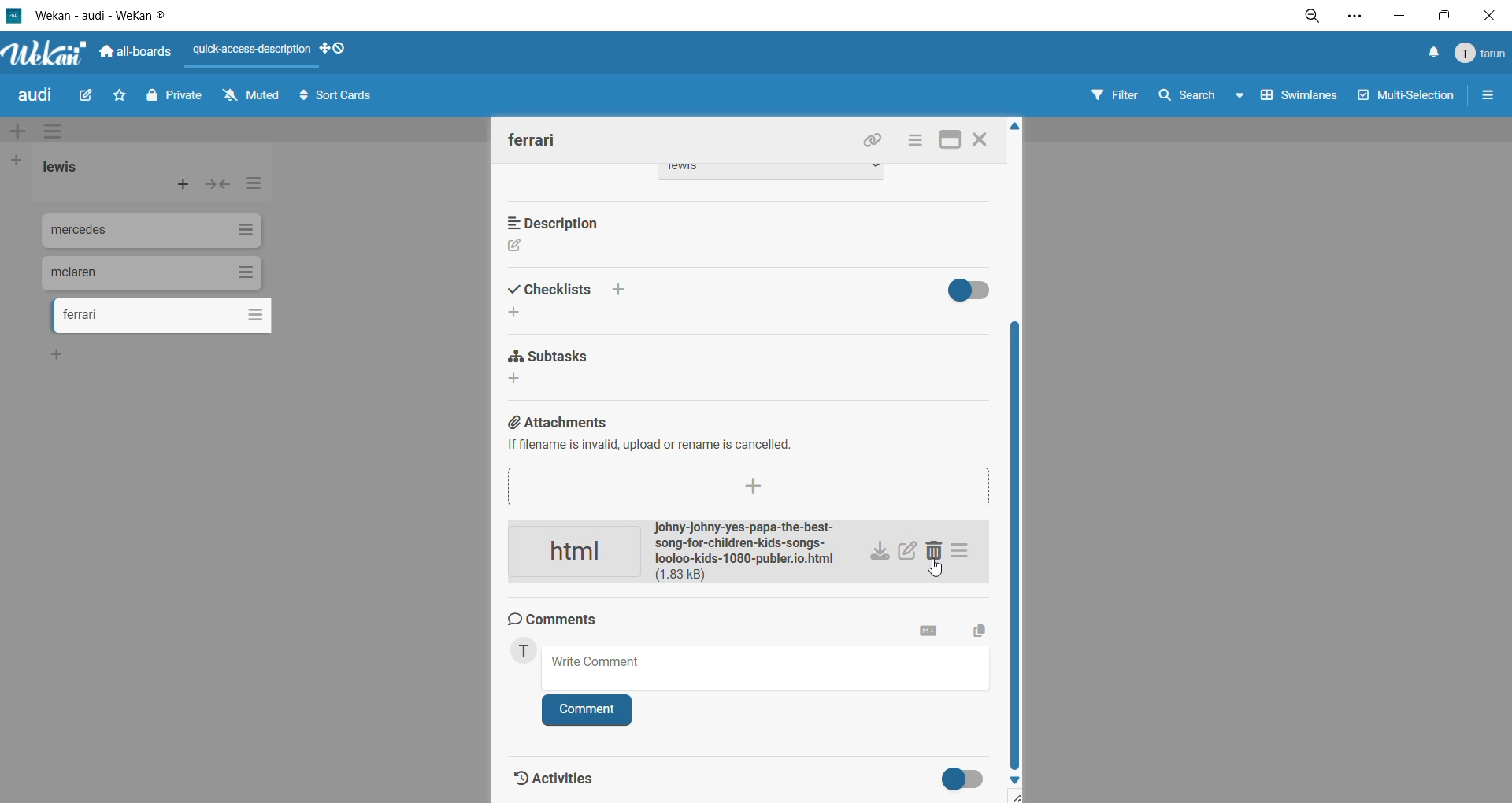 The image size is (1512, 803). Describe the element at coordinates (1201, 98) in the screenshot. I see `search` at that location.